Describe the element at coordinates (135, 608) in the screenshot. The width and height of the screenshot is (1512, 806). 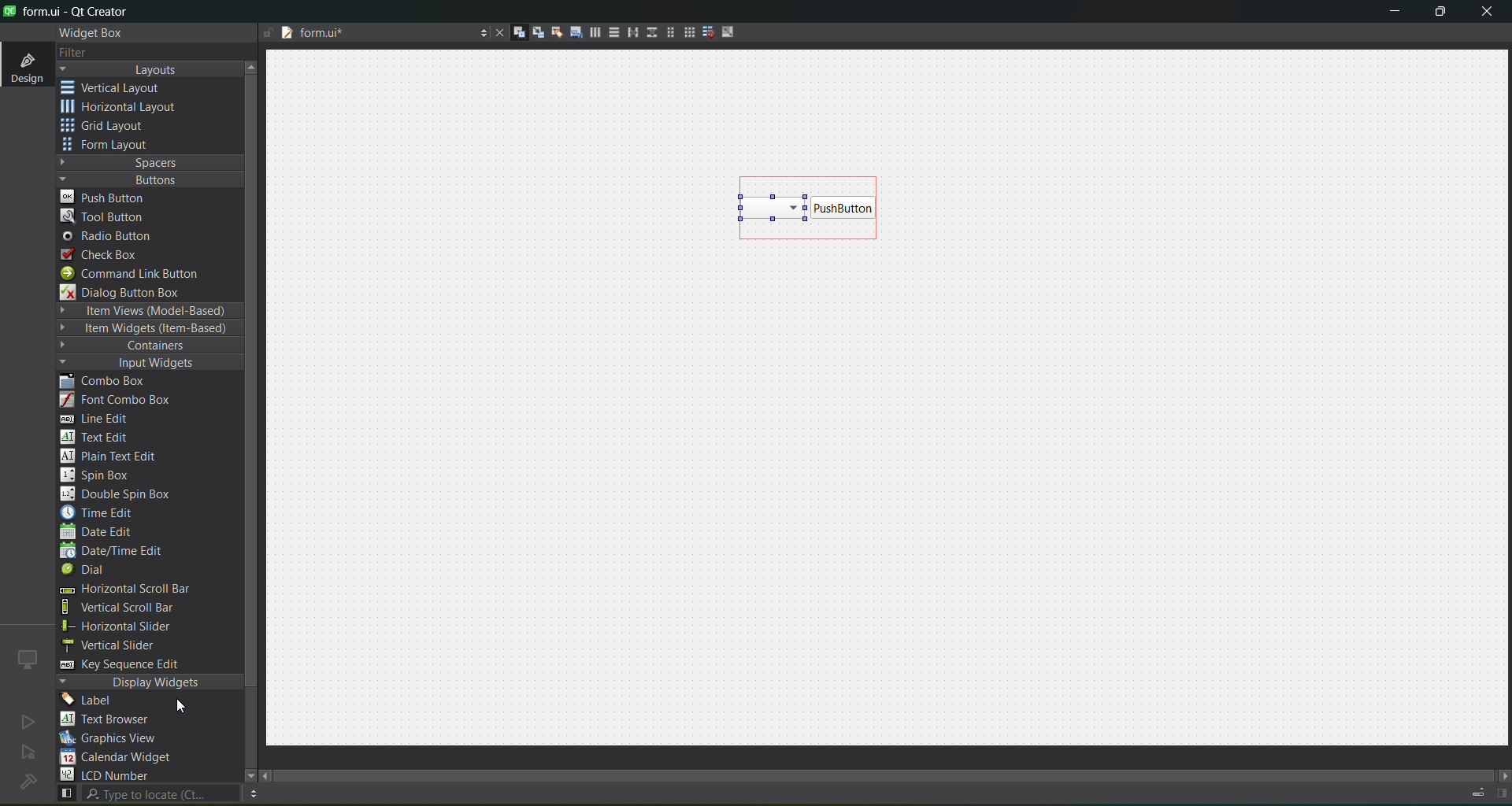
I see `vertical scroll bar` at that location.